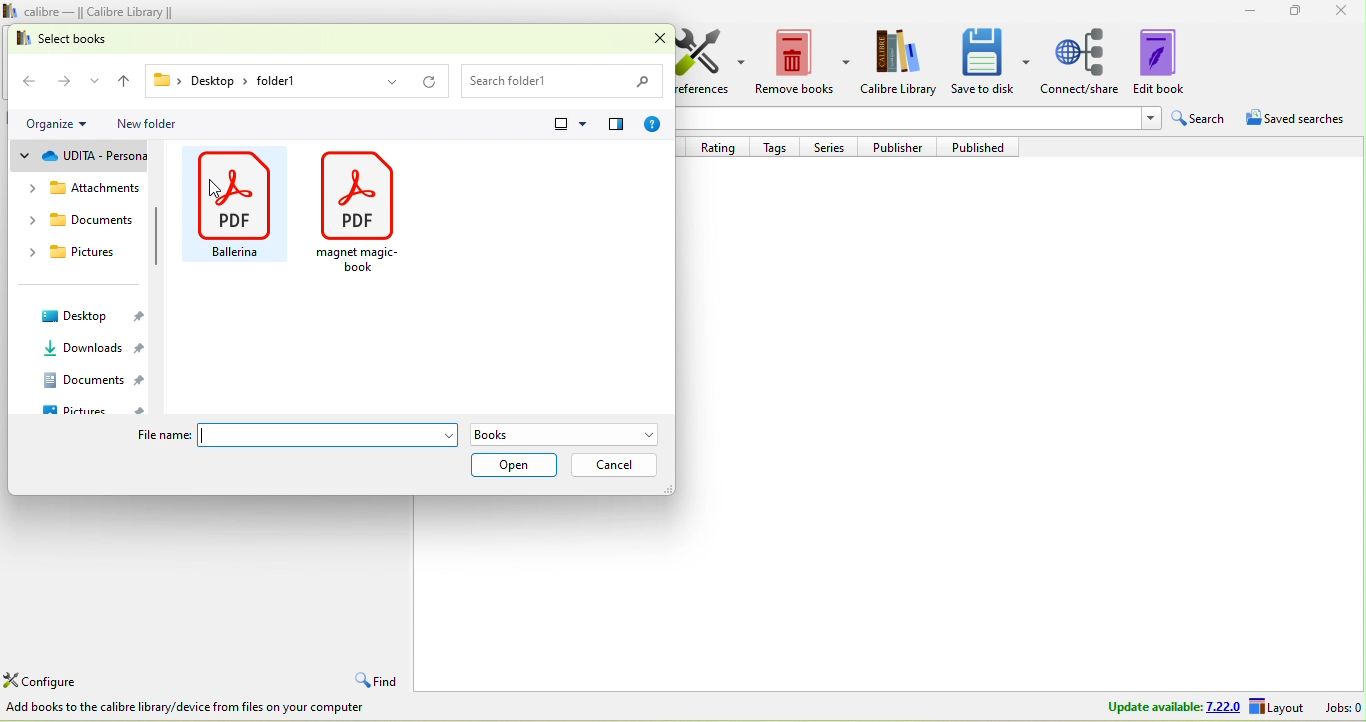  Describe the element at coordinates (992, 63) in the screenshot. I see `save to disk` at that location.